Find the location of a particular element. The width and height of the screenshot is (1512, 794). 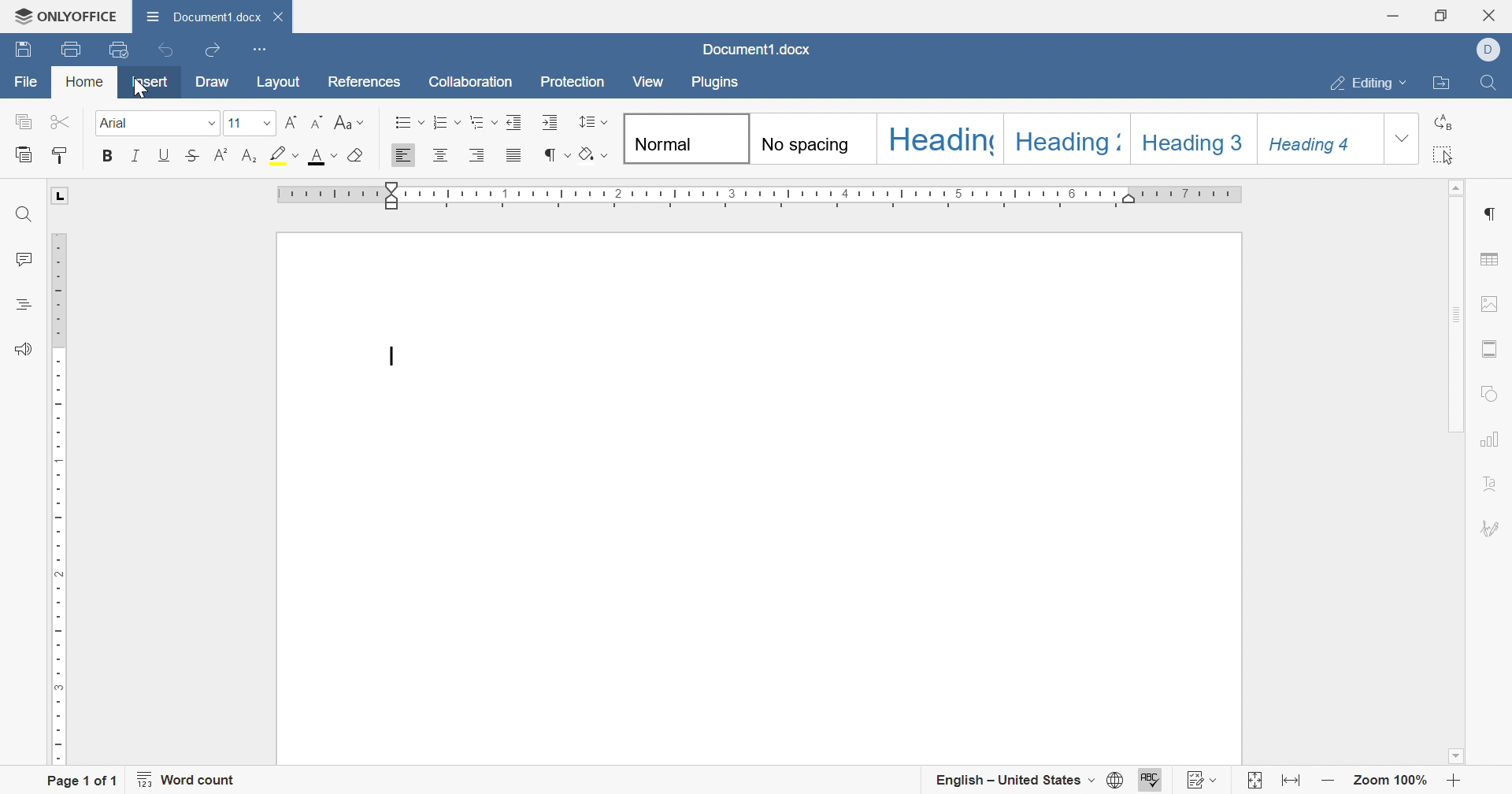

File is located at coordinates (23, 81).